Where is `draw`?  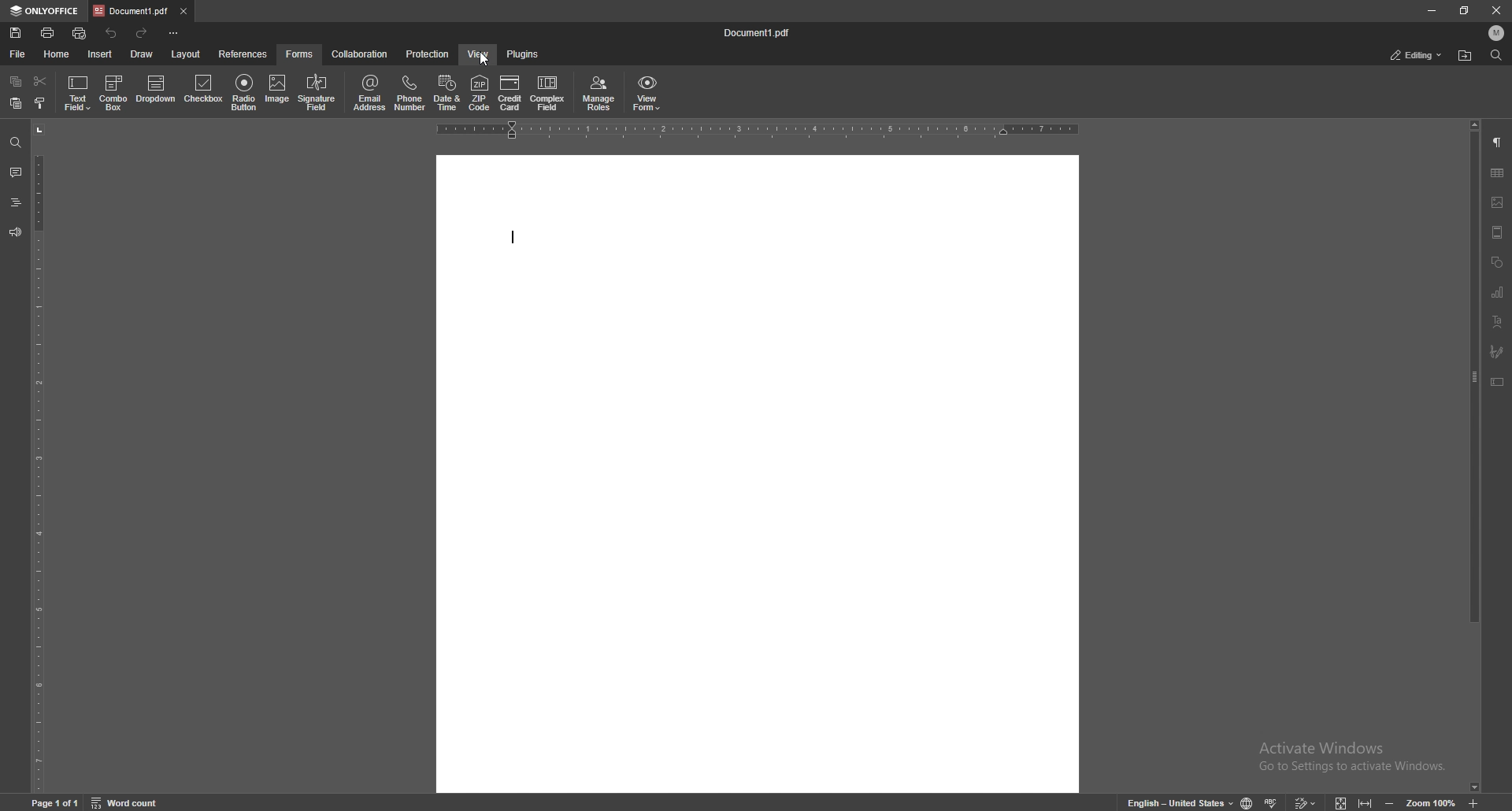
draw is located at coordinates (142, 54).